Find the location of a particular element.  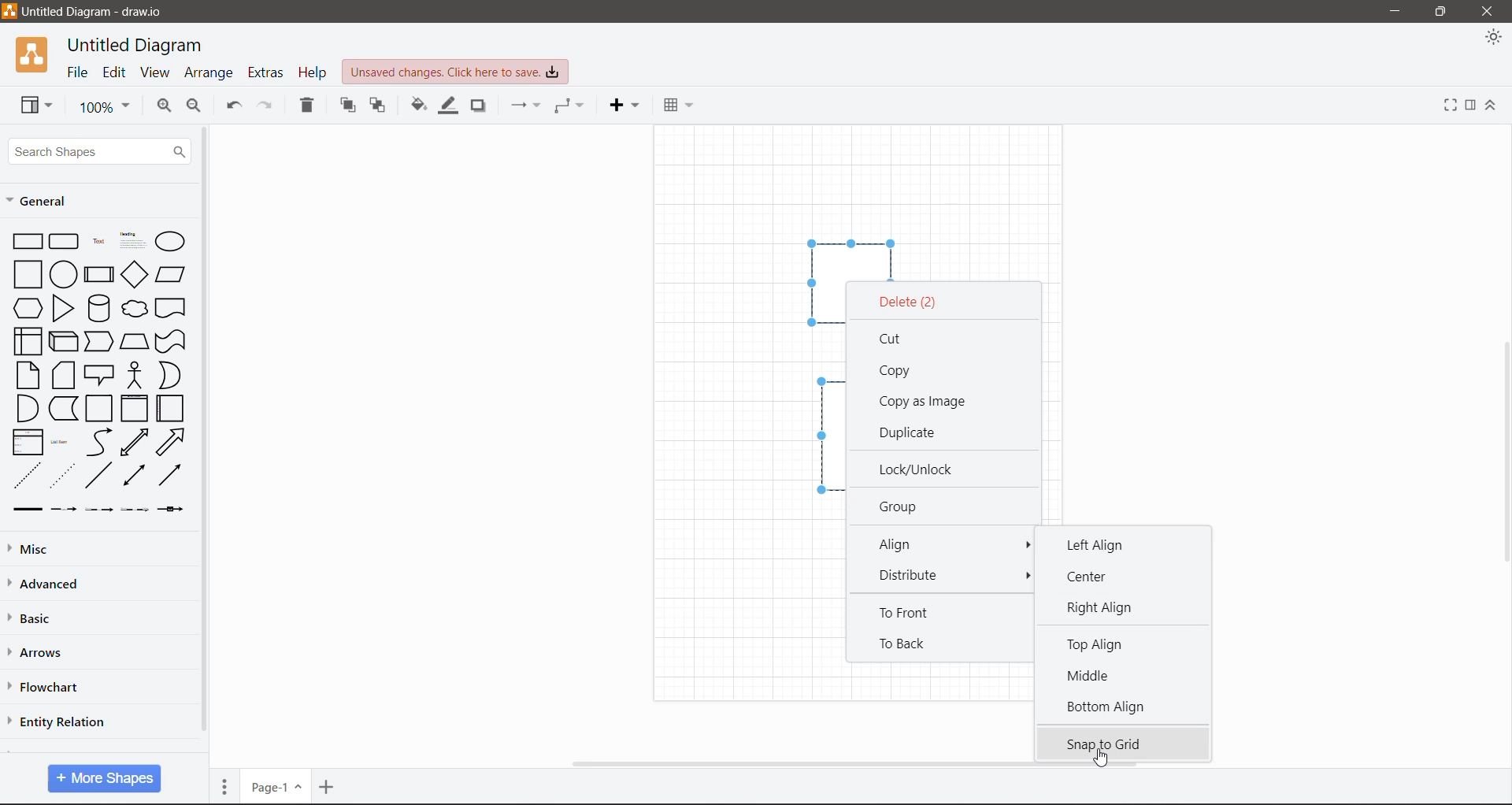

More options is located at coordinates (1025, 576).